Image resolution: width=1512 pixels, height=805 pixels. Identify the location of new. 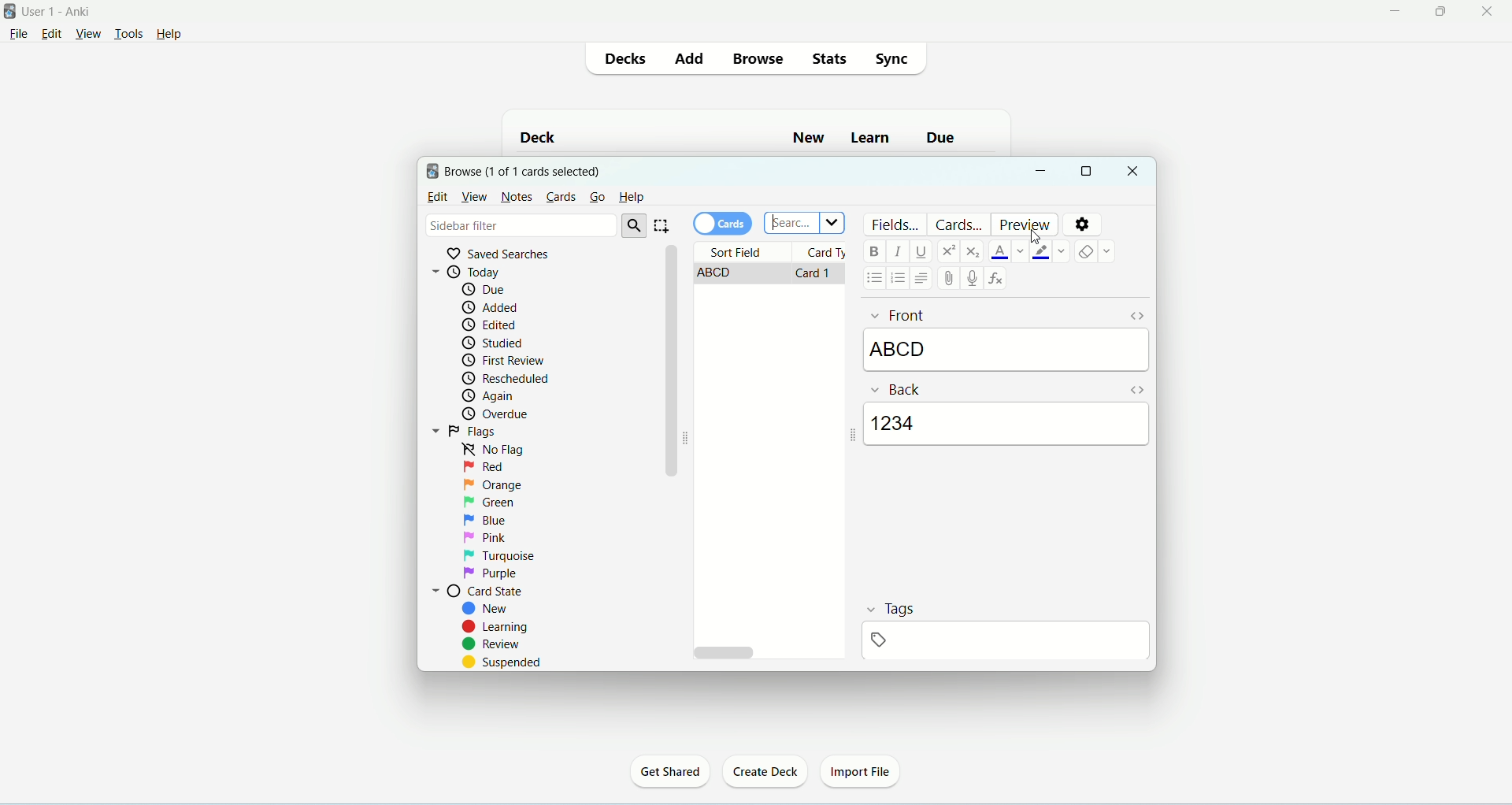
(489, 609).